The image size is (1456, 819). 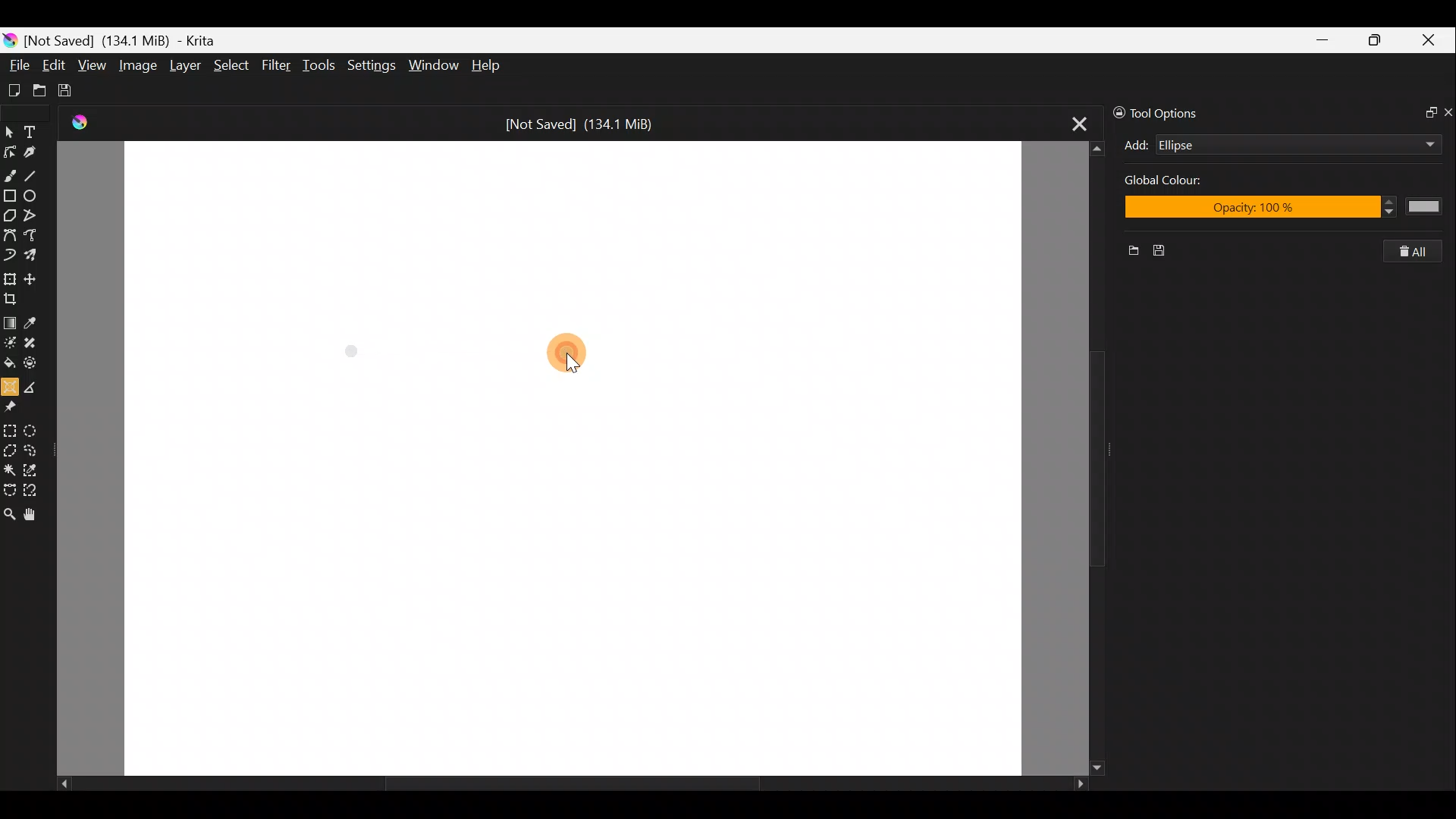 What do you see at coordinates (487, 66) in the screenshot?
I see `Help` at bounding box center [487, 66].